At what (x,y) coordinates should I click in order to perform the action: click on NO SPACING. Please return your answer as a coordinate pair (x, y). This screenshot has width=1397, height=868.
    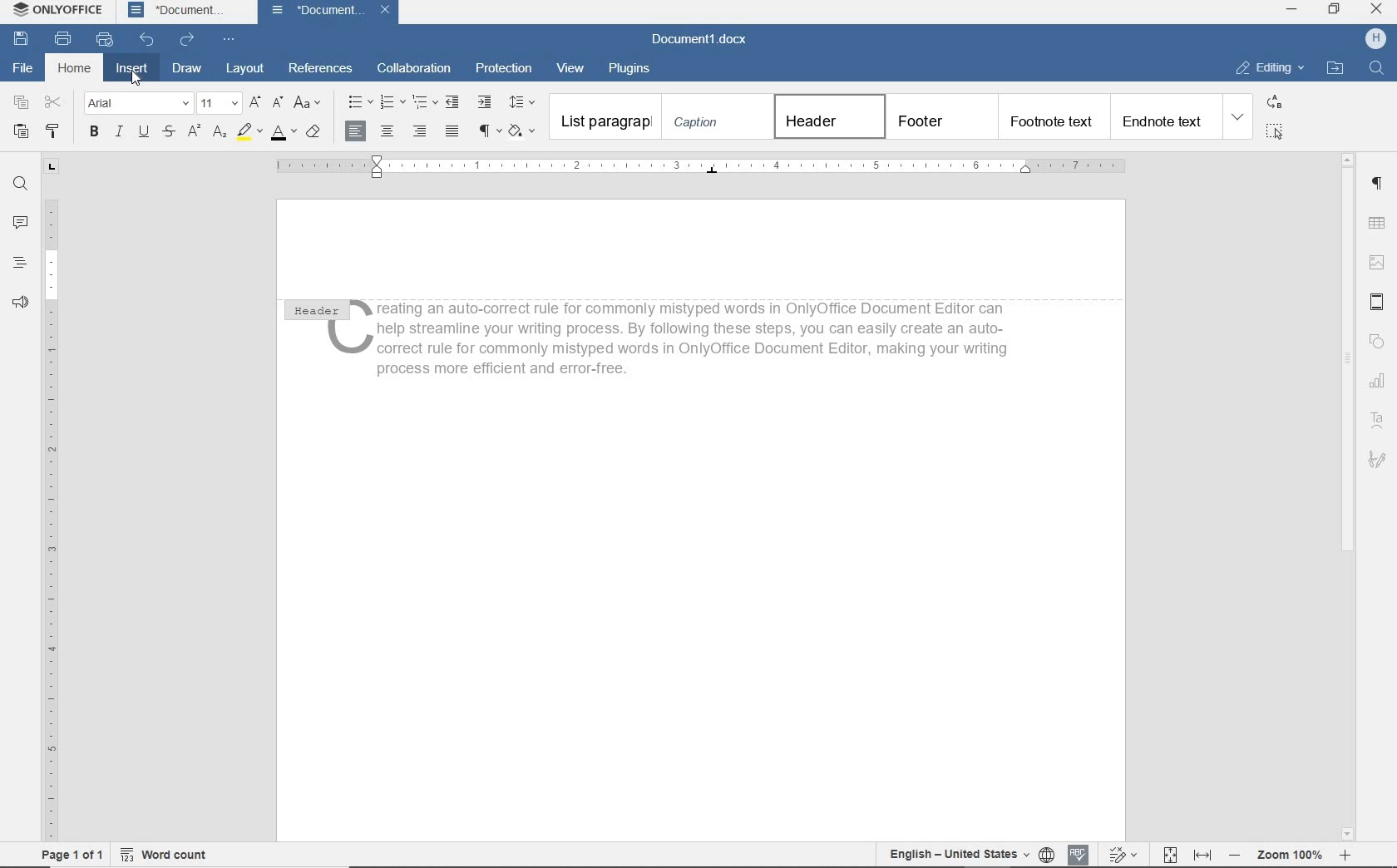
    Looking at the image, I should click on (716, 116).